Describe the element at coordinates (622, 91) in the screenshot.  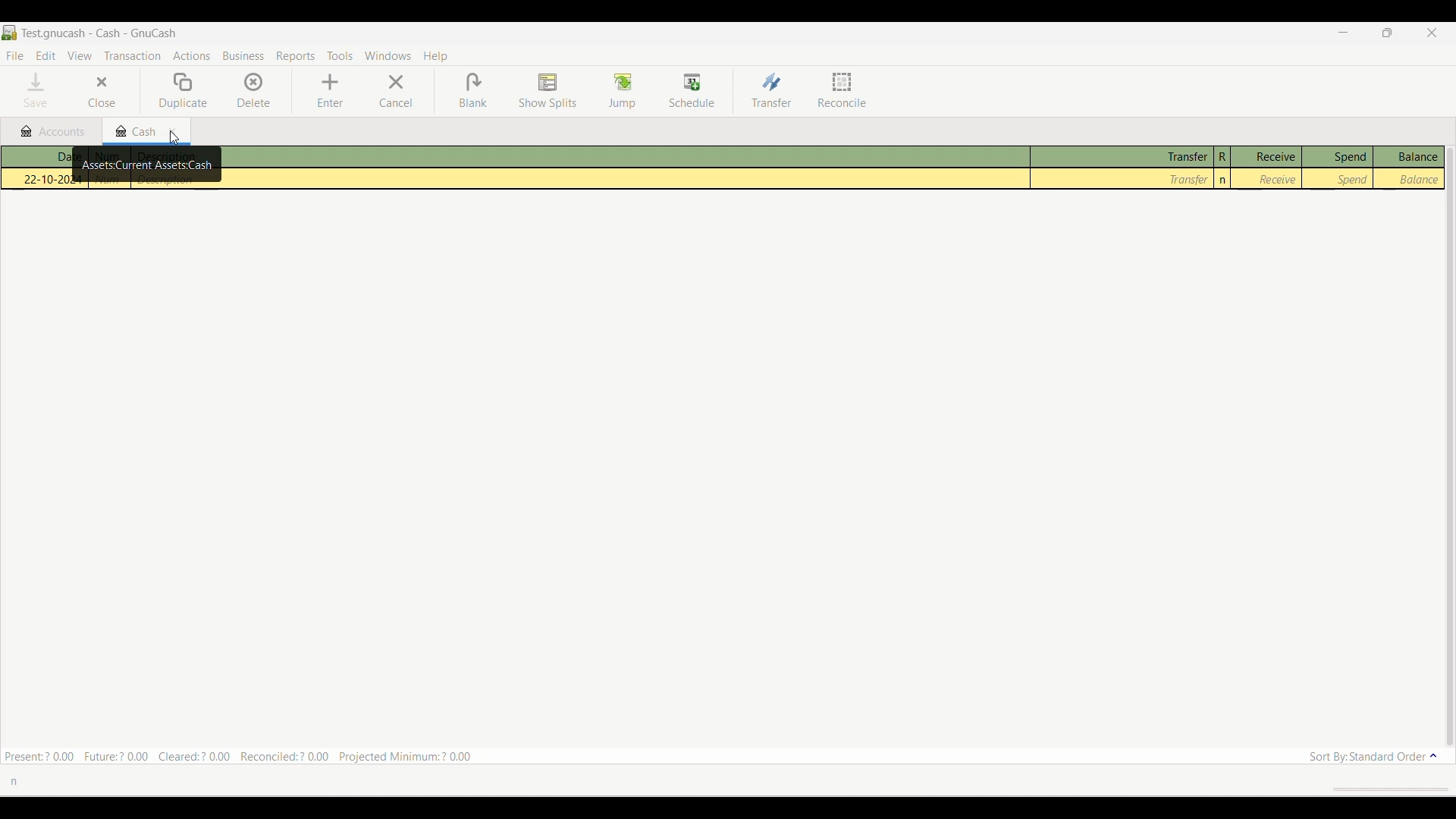
I see `Jump` at that location.